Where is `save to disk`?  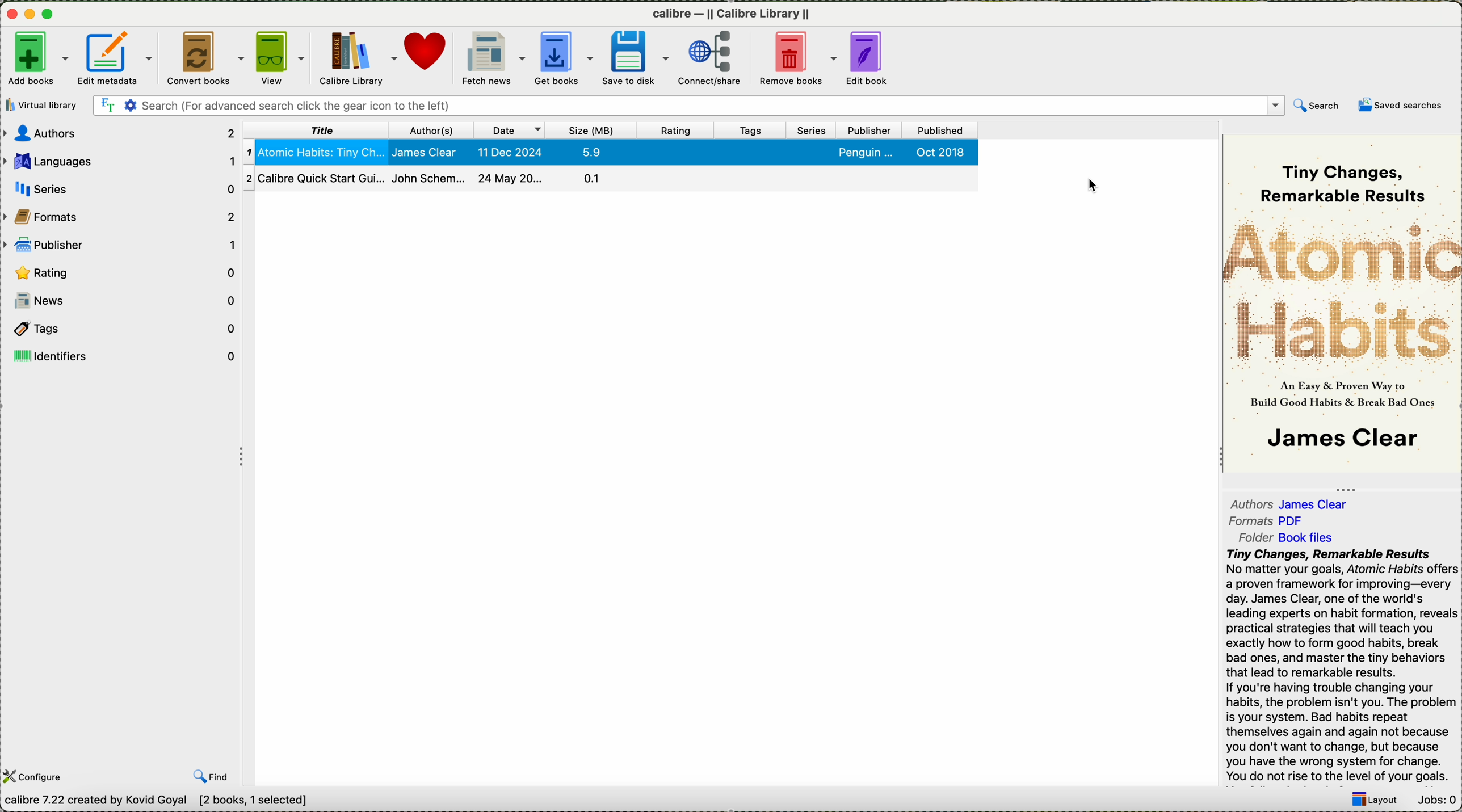 save to disk is located at coordinates (633, 58).